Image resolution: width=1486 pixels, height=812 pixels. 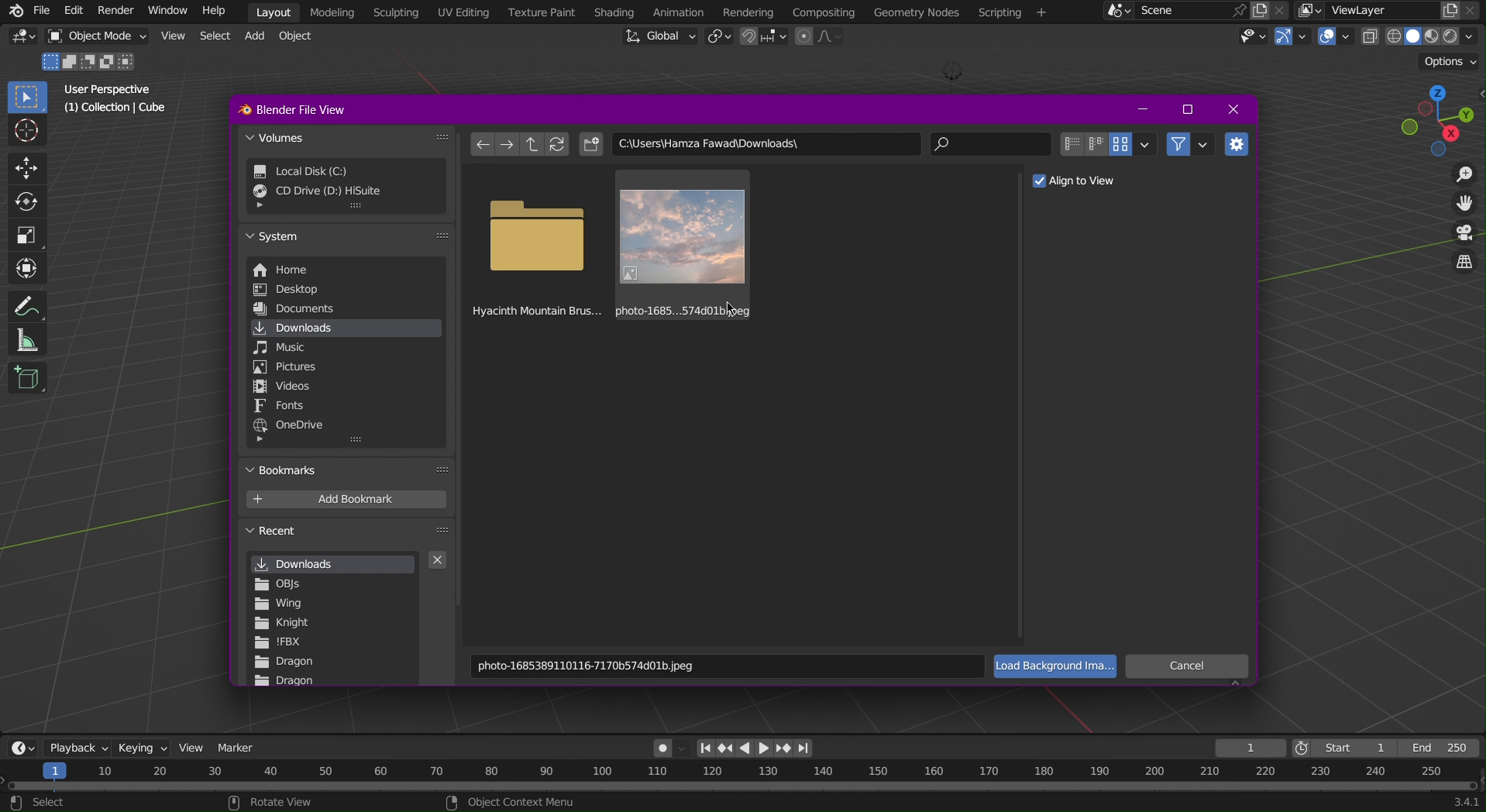 What do you see at coordinates (349, 472) in the screenshot?
I see `Bookmarks` at bounding box center [349, 472].